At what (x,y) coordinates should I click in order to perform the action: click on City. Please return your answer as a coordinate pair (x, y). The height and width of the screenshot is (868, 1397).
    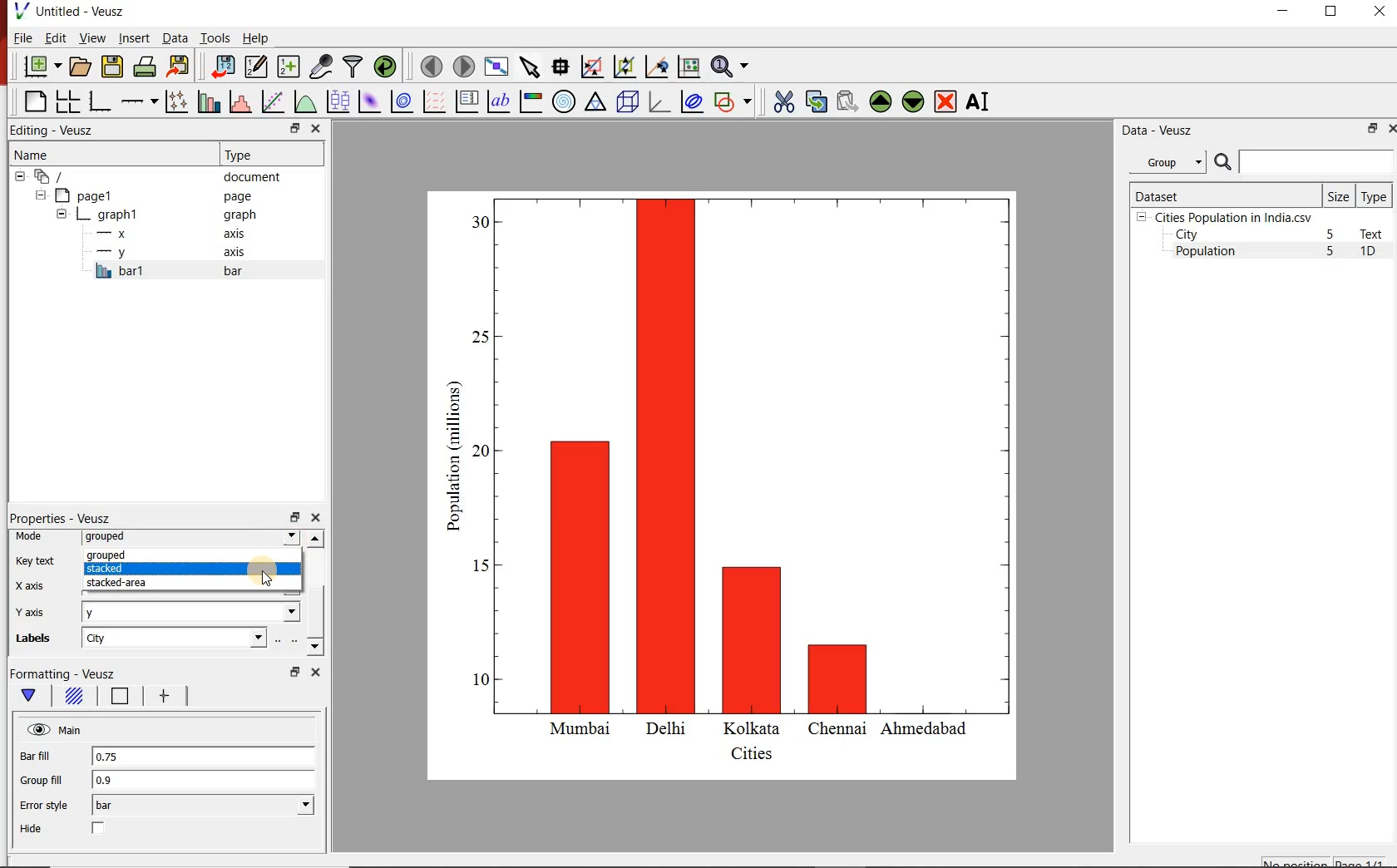
    Looking at the image, I should click on (1187, 234).